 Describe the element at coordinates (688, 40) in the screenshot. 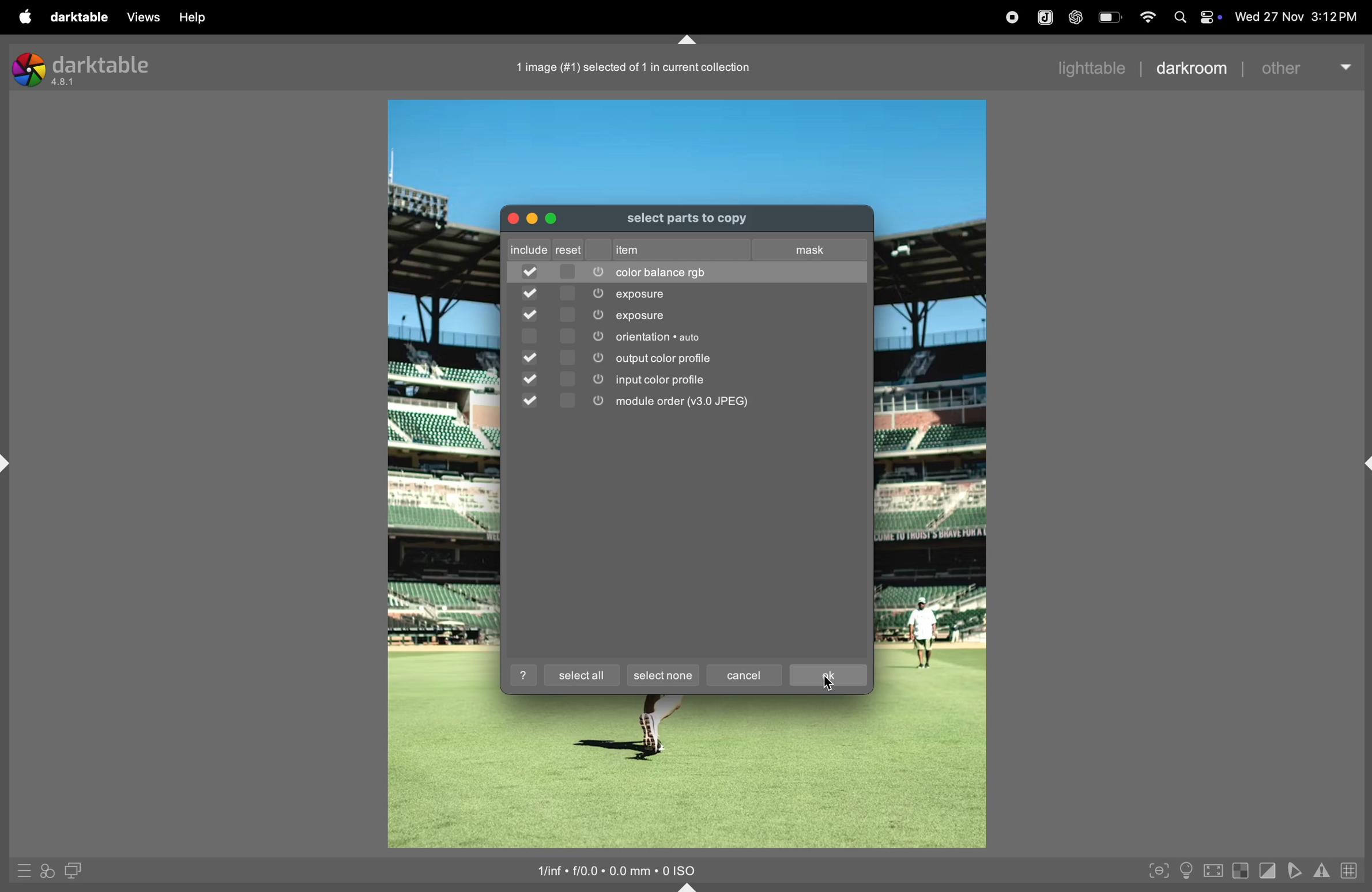

I see `shift+ctrl+t` at that location.